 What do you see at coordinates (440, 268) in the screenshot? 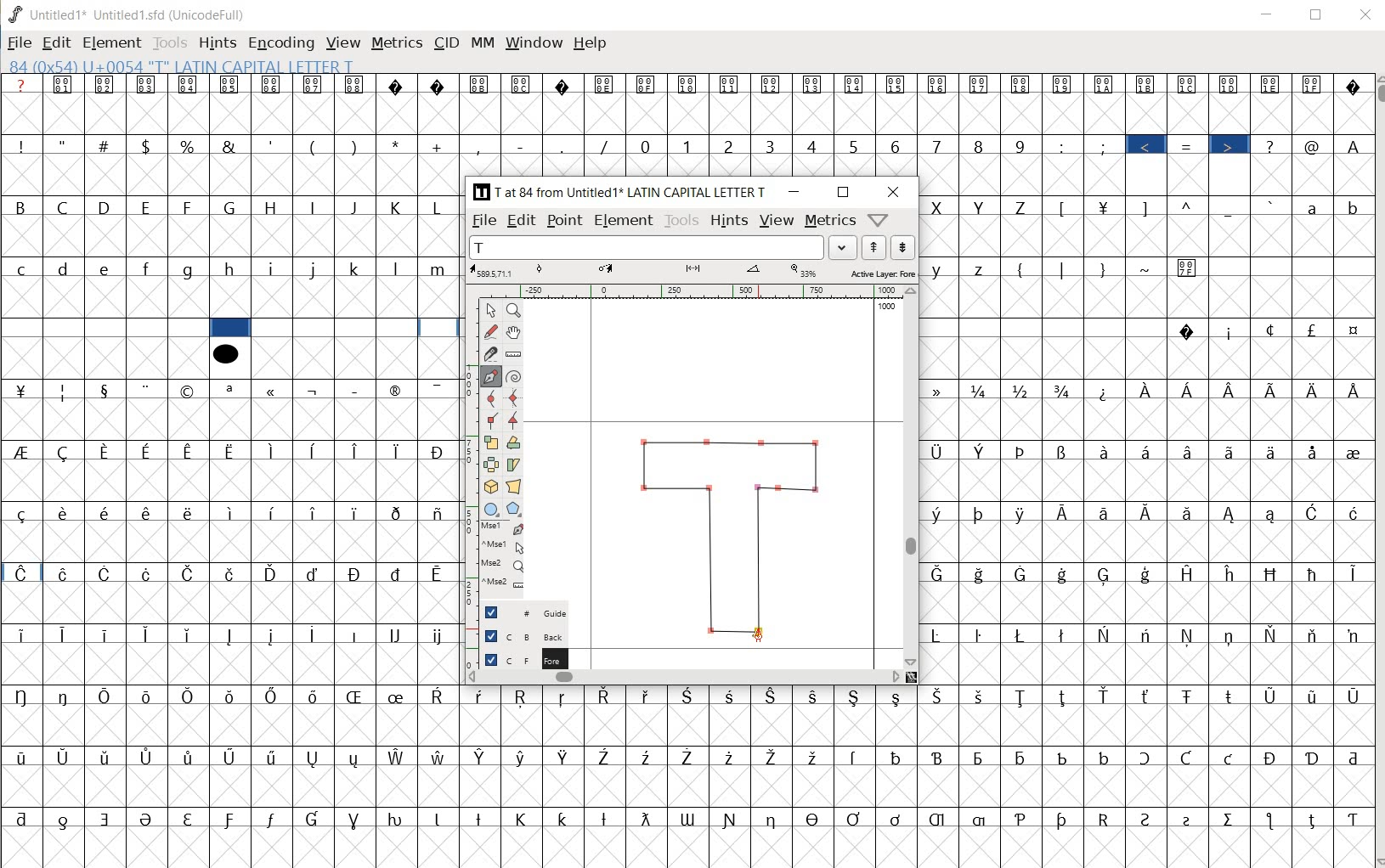
I see `m` at bounding box center [440, 268].